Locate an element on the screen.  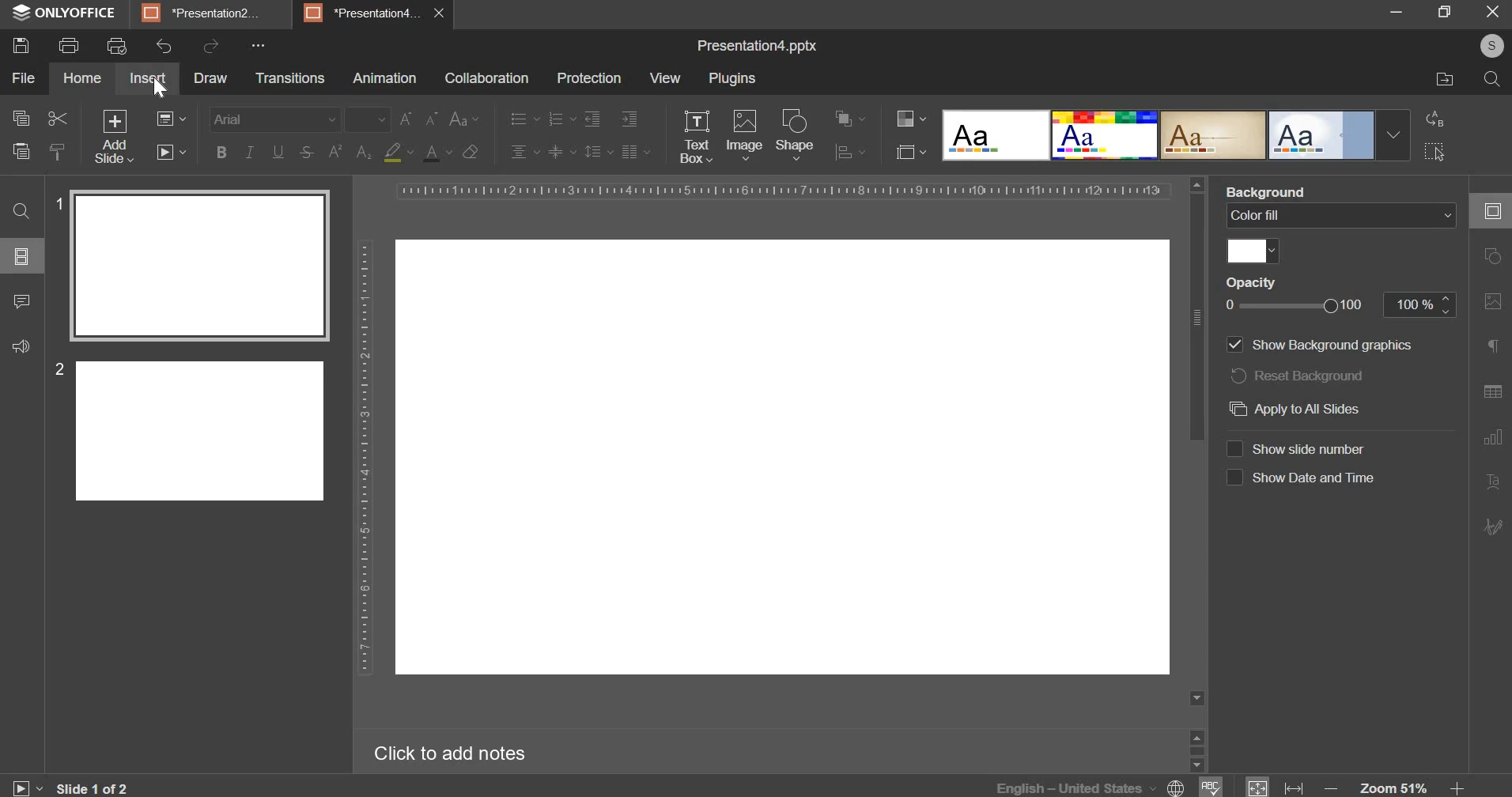
shape is located at coordinates (794, 137).